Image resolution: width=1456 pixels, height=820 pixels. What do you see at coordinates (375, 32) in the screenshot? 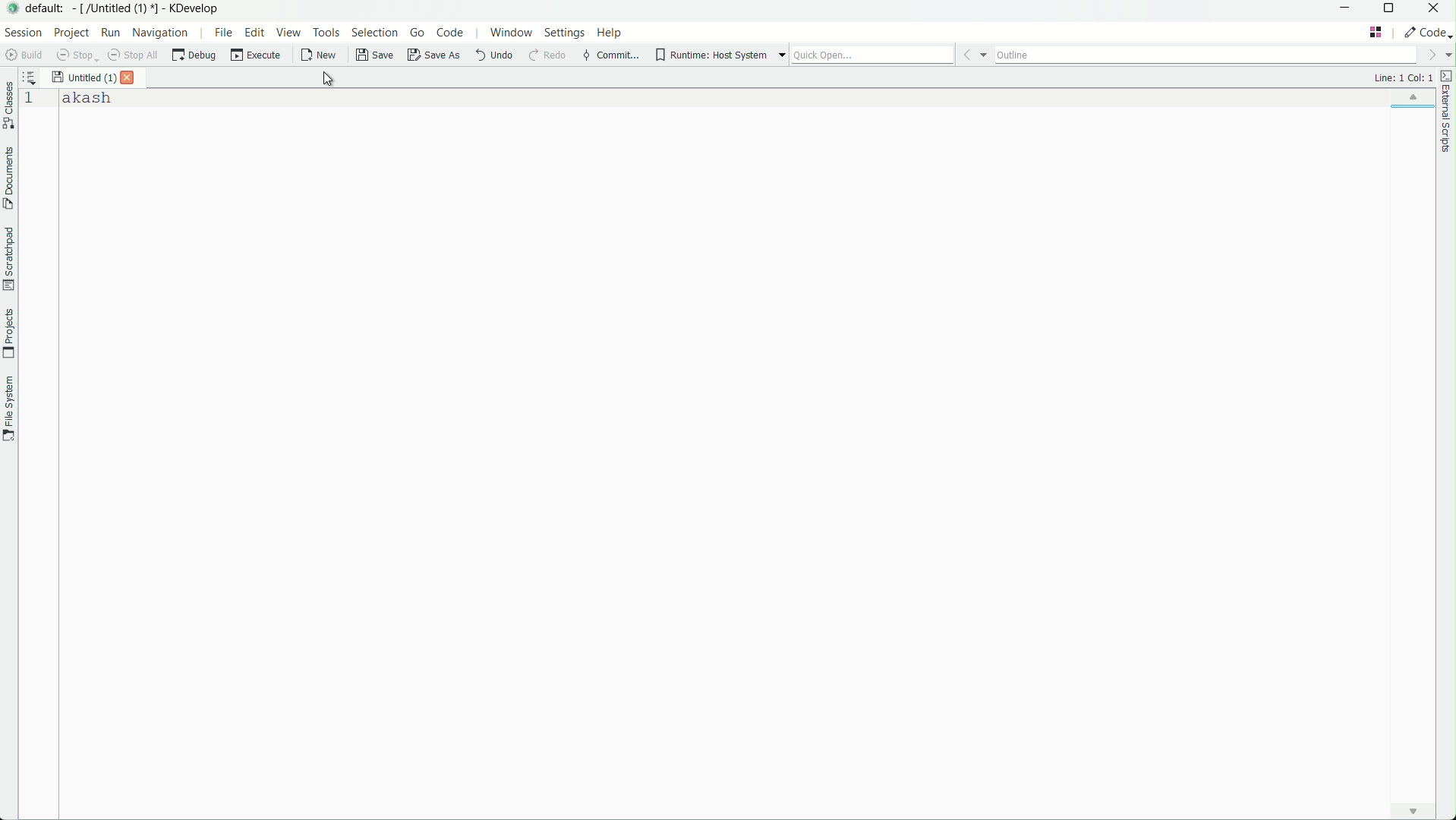
I see `selection` at bounding box center [375, 32].